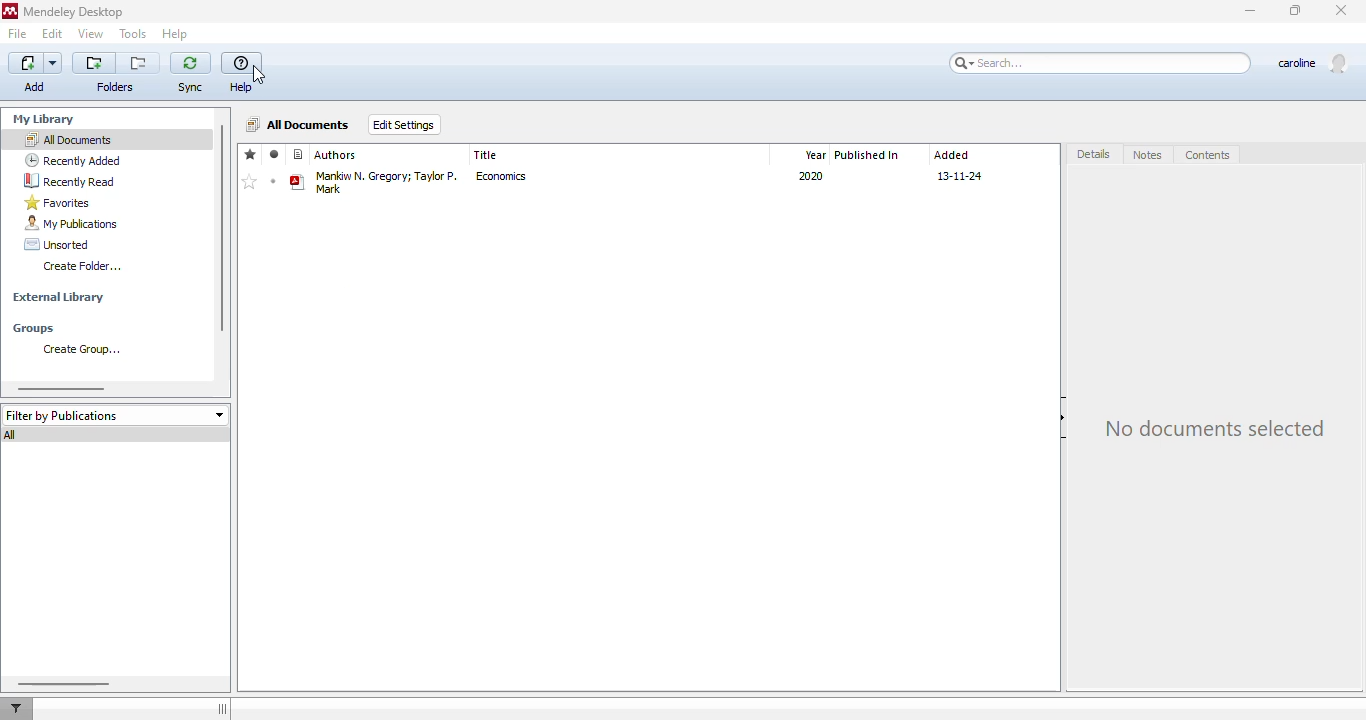  I want to click on help, so click(175, 33).